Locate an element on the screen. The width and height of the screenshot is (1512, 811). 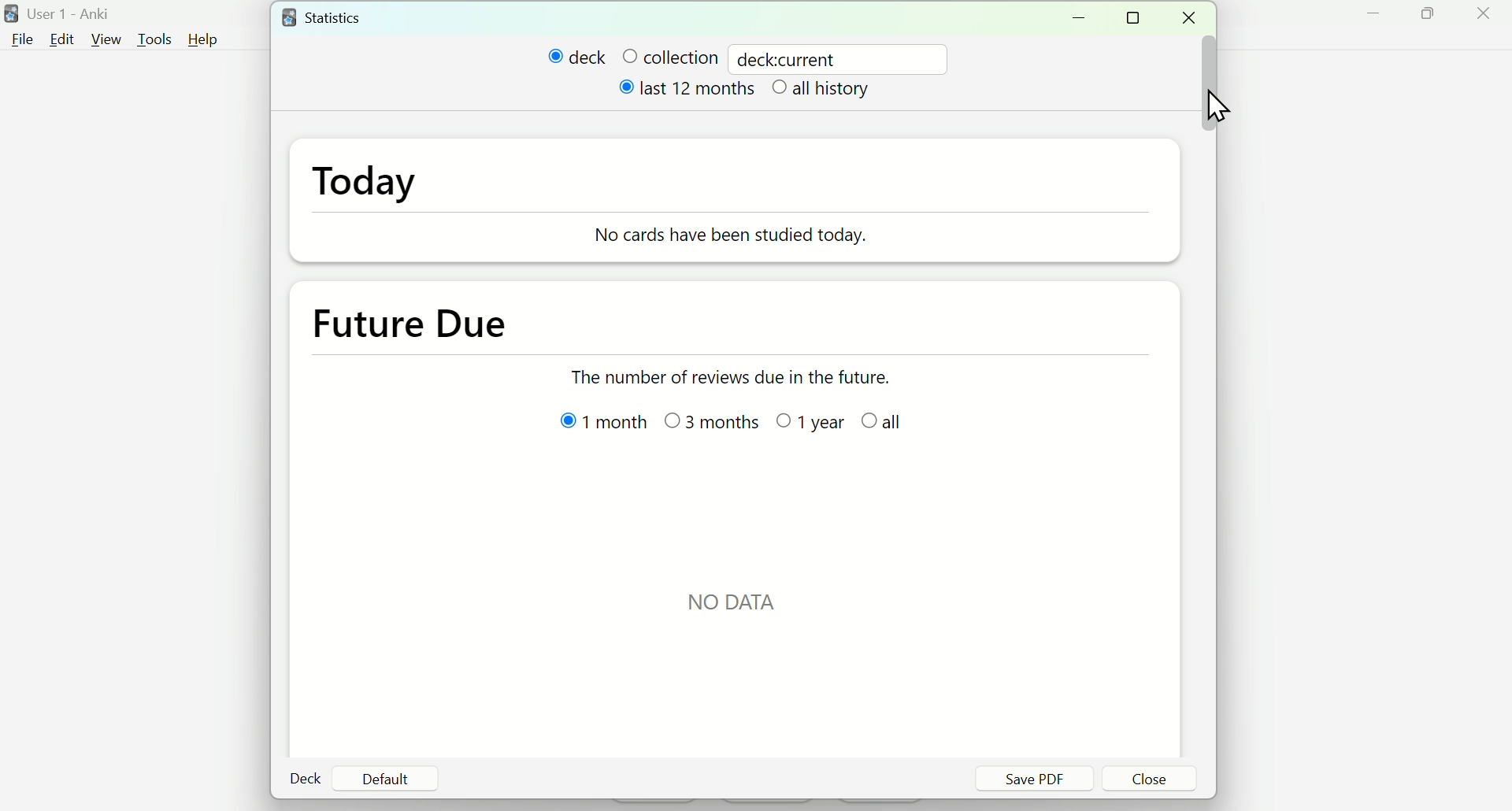
Deck is located at coordinates (307, 779).